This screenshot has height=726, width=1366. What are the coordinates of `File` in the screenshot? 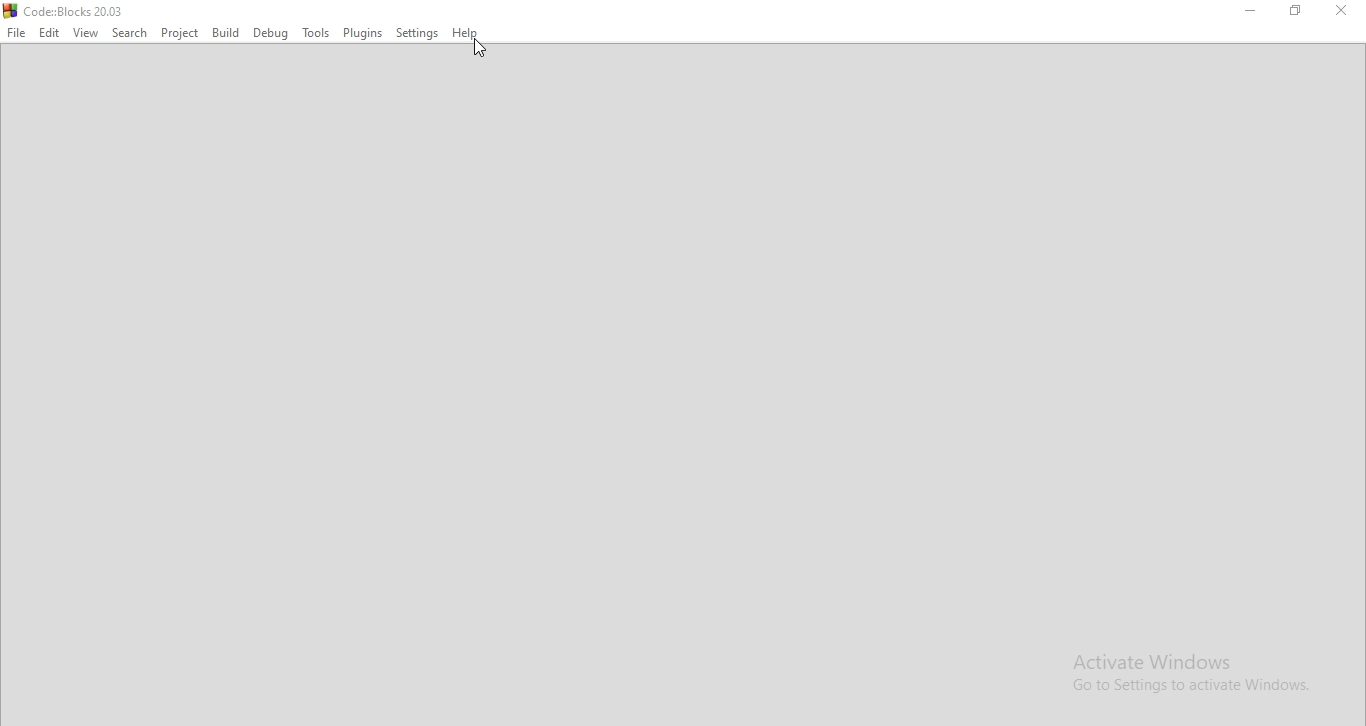 It's located at (15, 33).